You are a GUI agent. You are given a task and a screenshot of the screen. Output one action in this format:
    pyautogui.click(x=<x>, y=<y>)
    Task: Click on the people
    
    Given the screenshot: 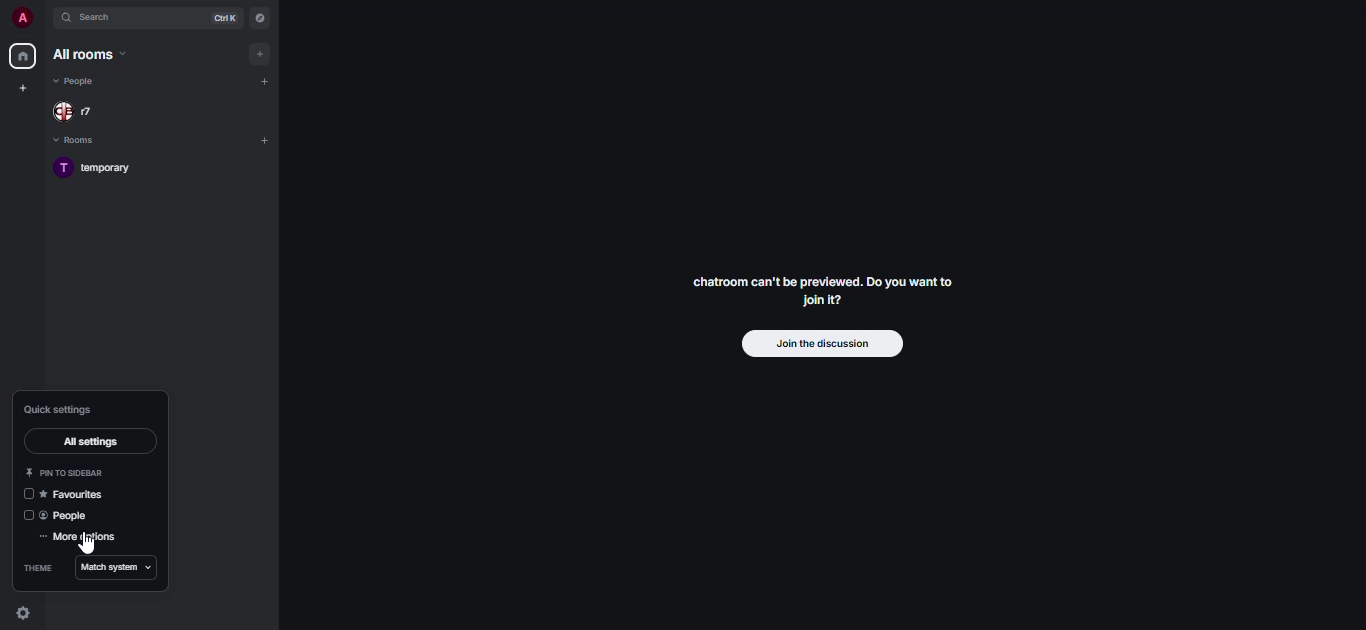 What is the action you would take?
    pyautogui.click(x=82, y=82)
    